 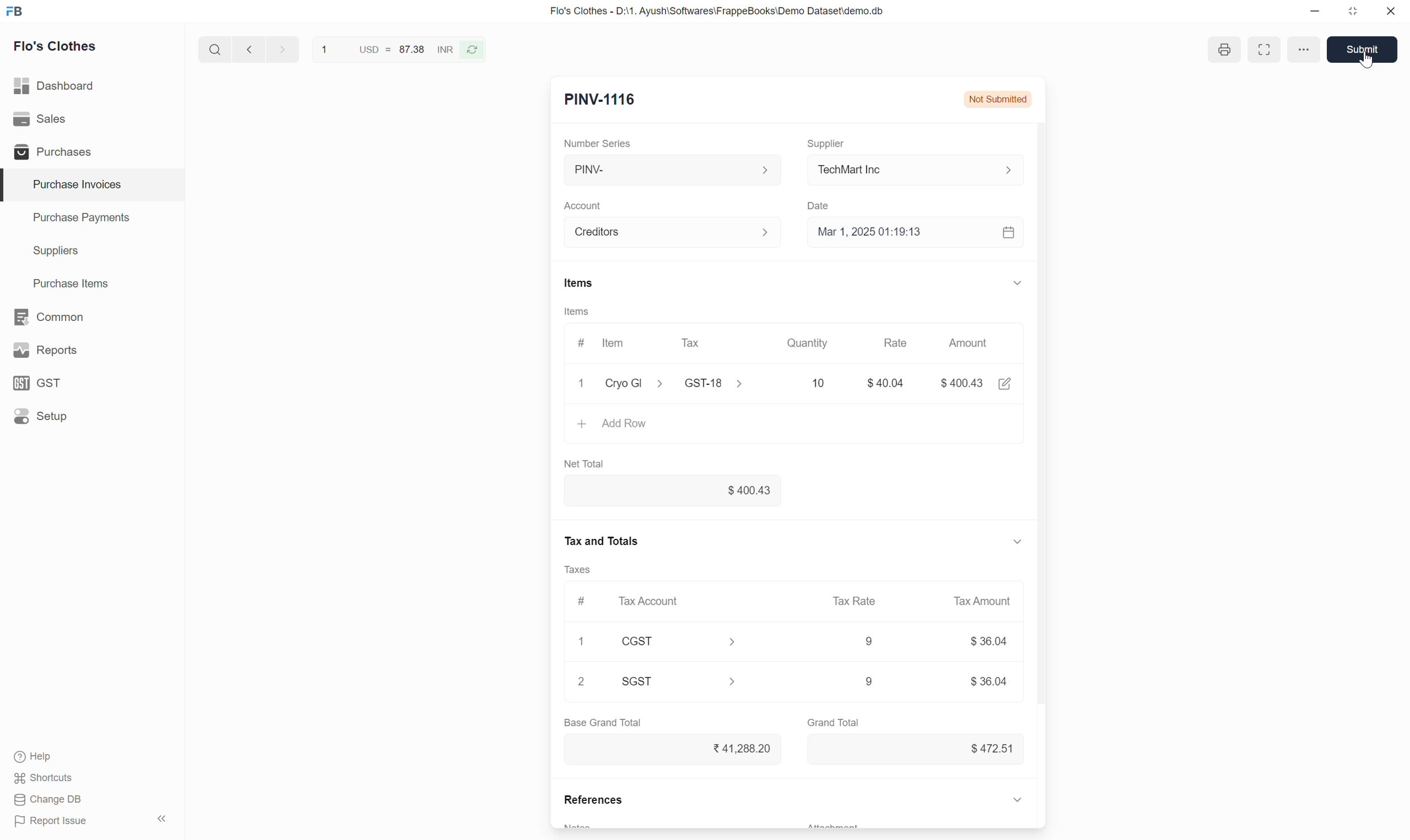 What do you see at coordinates (903, 342) in the screenshot?
I see `Rate` at bounding box center [903, 342].